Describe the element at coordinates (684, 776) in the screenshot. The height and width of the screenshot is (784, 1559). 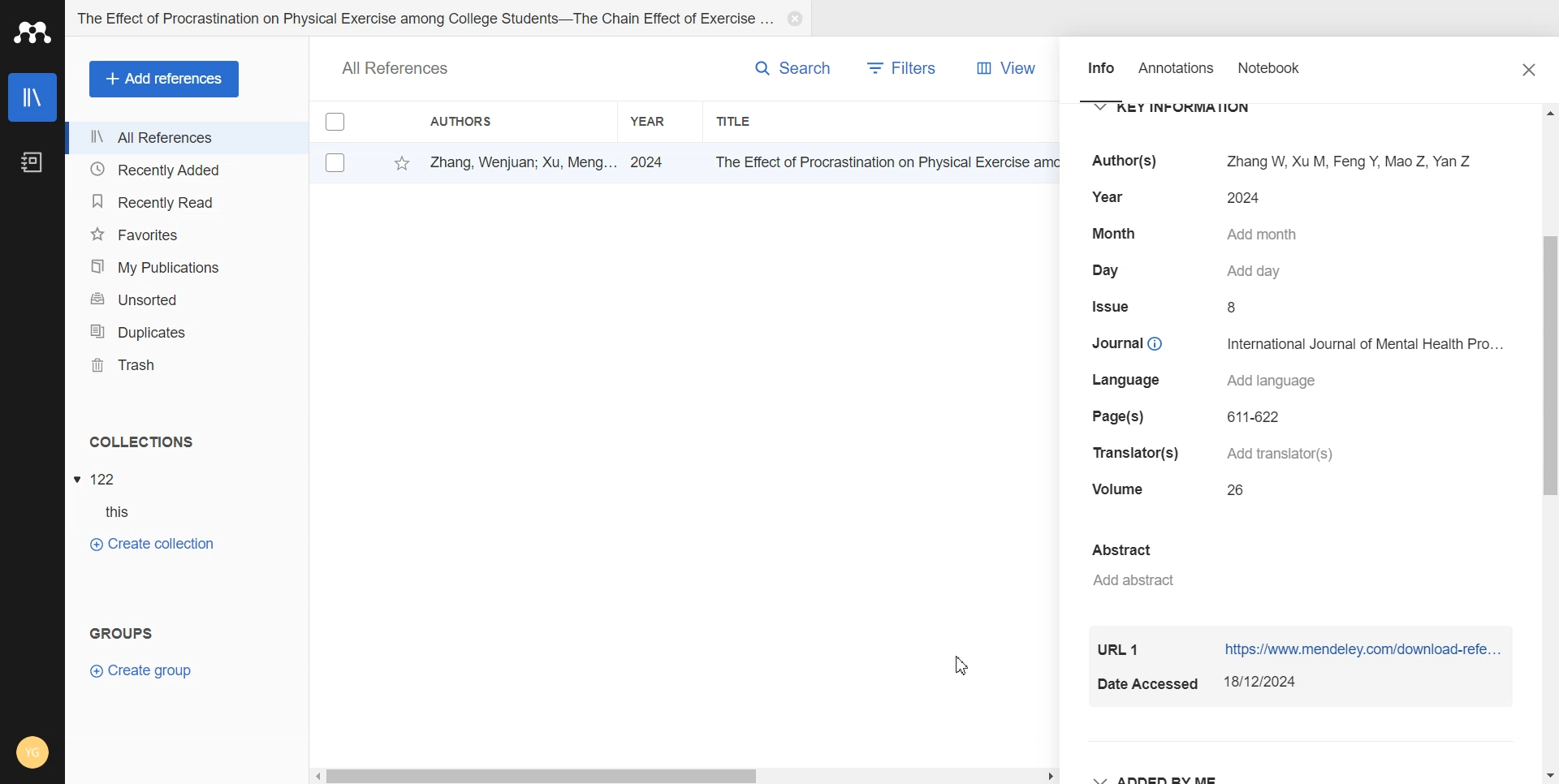
I see `Horizontal scroll bar` at that location.